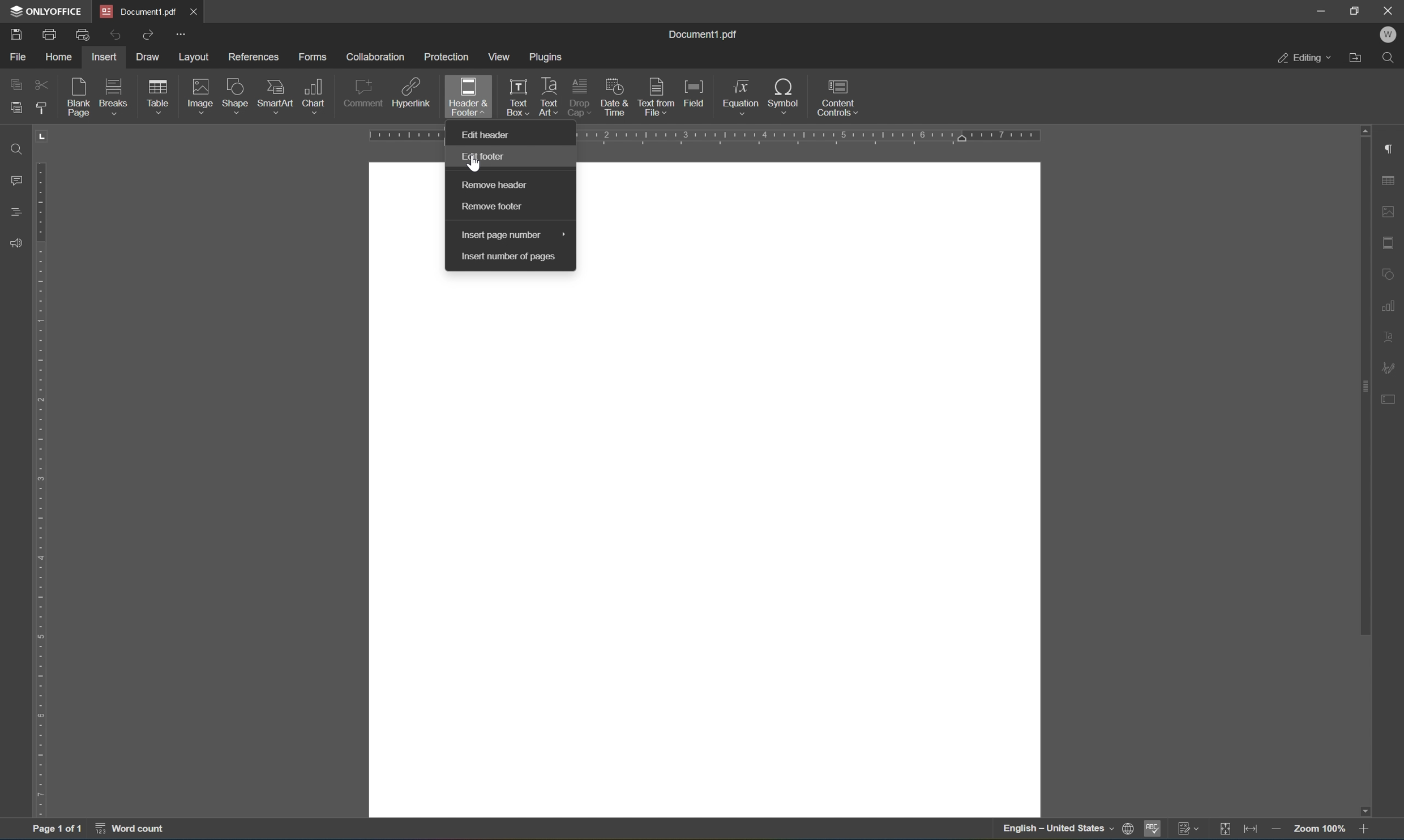 The width and height of the screenshot is (1404, 840). What do you see at coordinates (1390, 181) in the screenshot?
I see `tabular settings` at bounding box center [1390, 181].